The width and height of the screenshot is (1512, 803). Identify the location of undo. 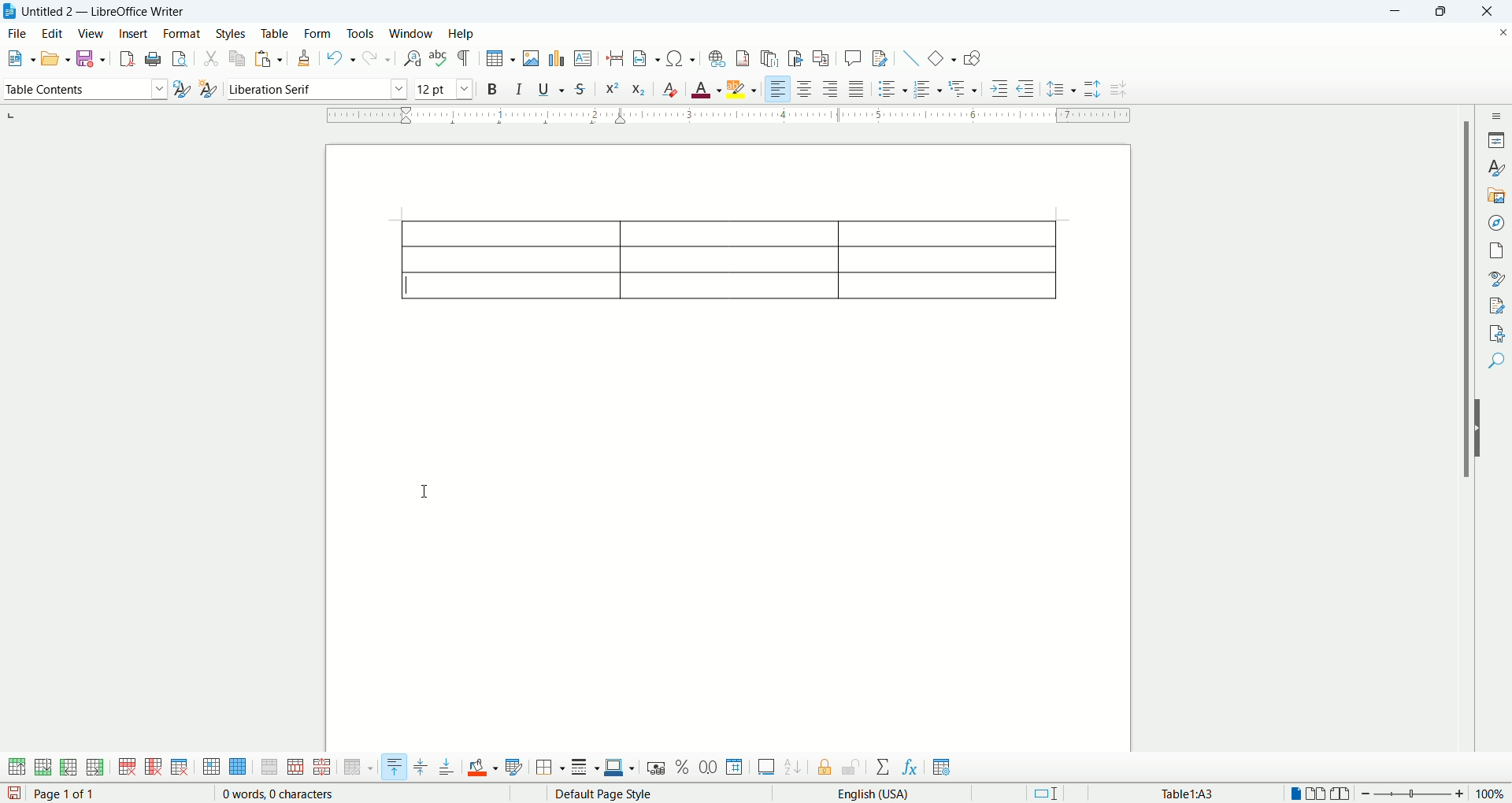
(342, 58).